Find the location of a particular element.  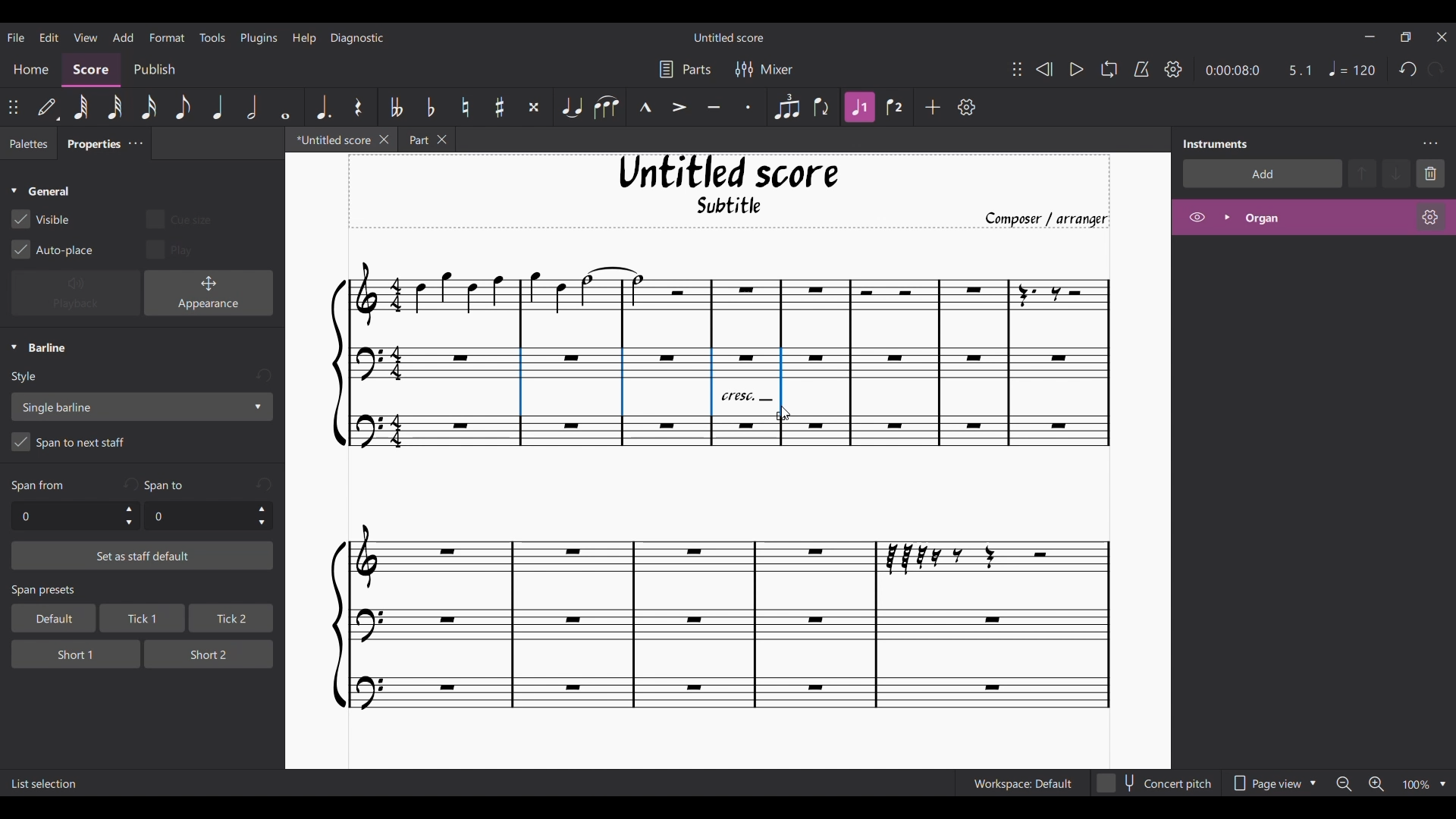

Tools menu is located at coordinates (212, 36).